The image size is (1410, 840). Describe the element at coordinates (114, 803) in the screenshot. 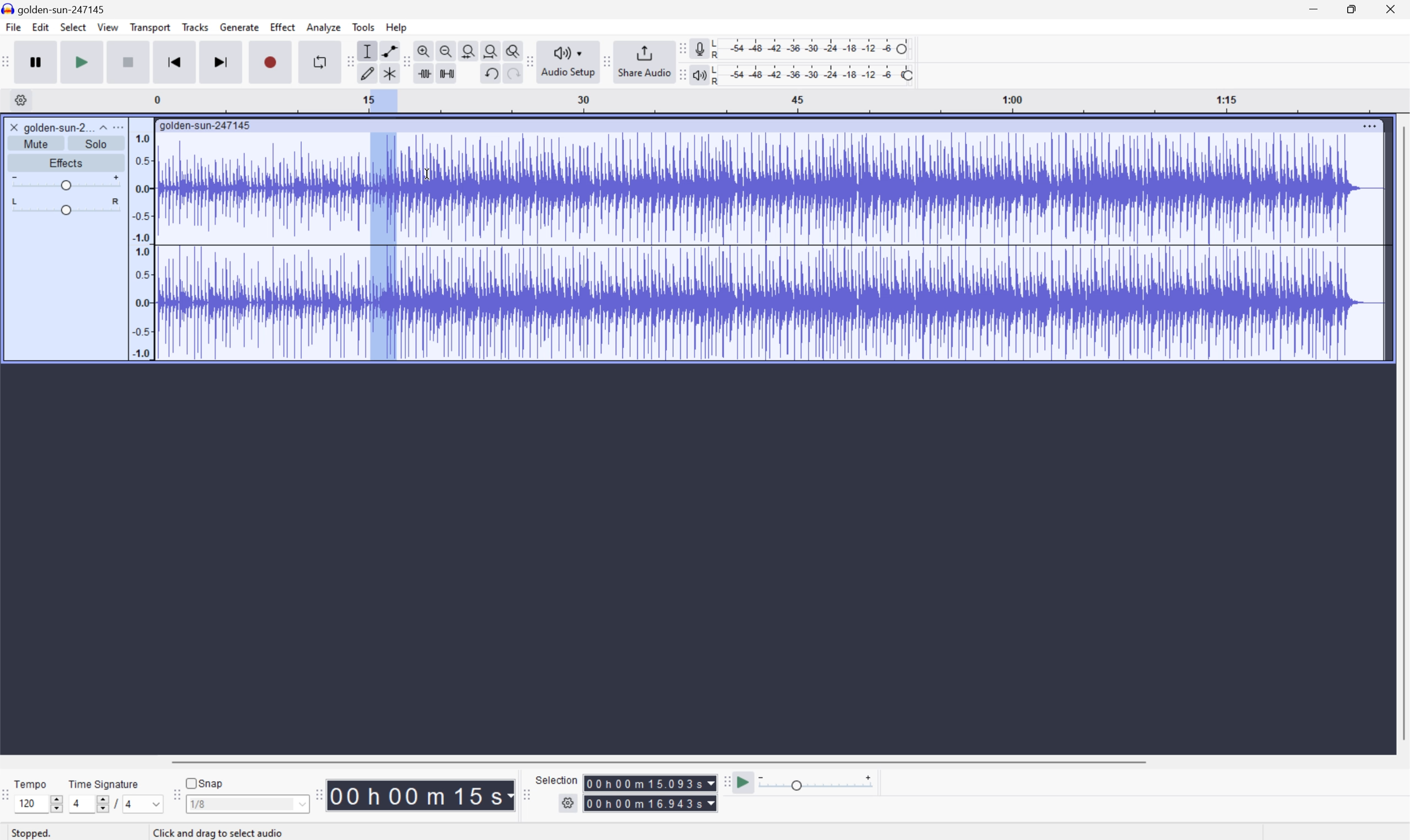

I see `/` at that location.